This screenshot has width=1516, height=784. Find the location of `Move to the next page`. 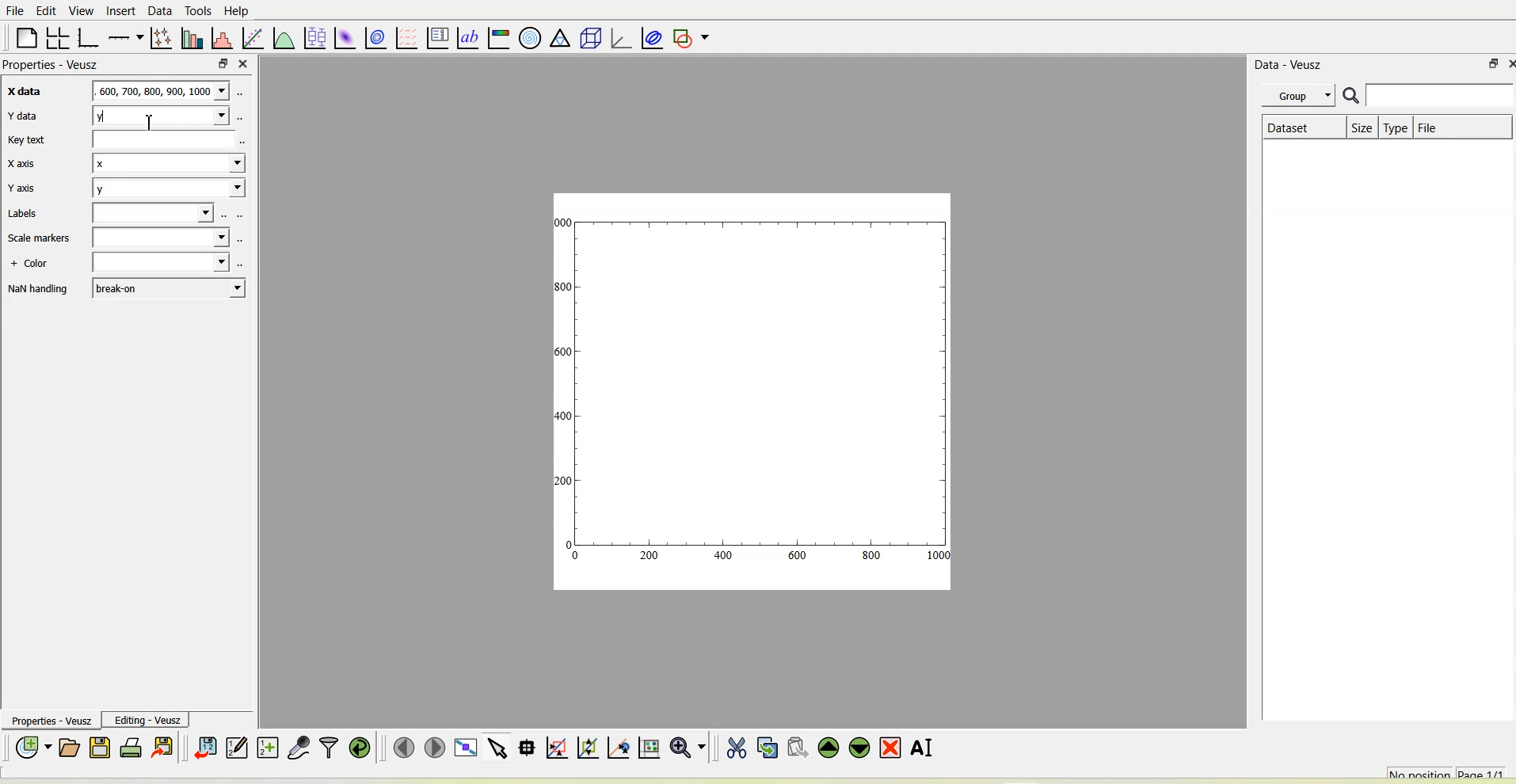

Move to the next page is located at coordinates (435, 747).